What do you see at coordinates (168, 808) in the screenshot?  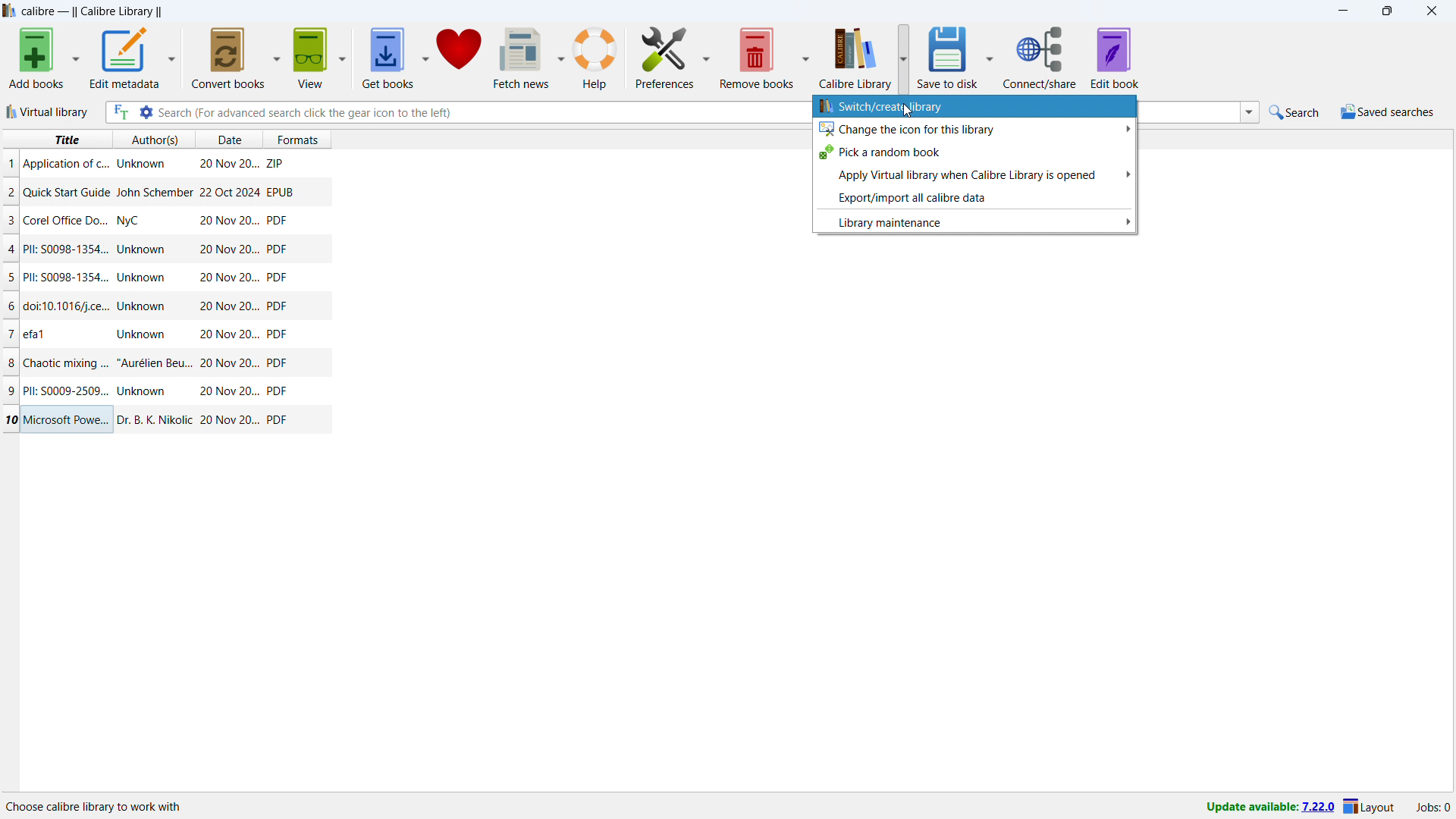 I see `Location` at bounding box center [168, 808].